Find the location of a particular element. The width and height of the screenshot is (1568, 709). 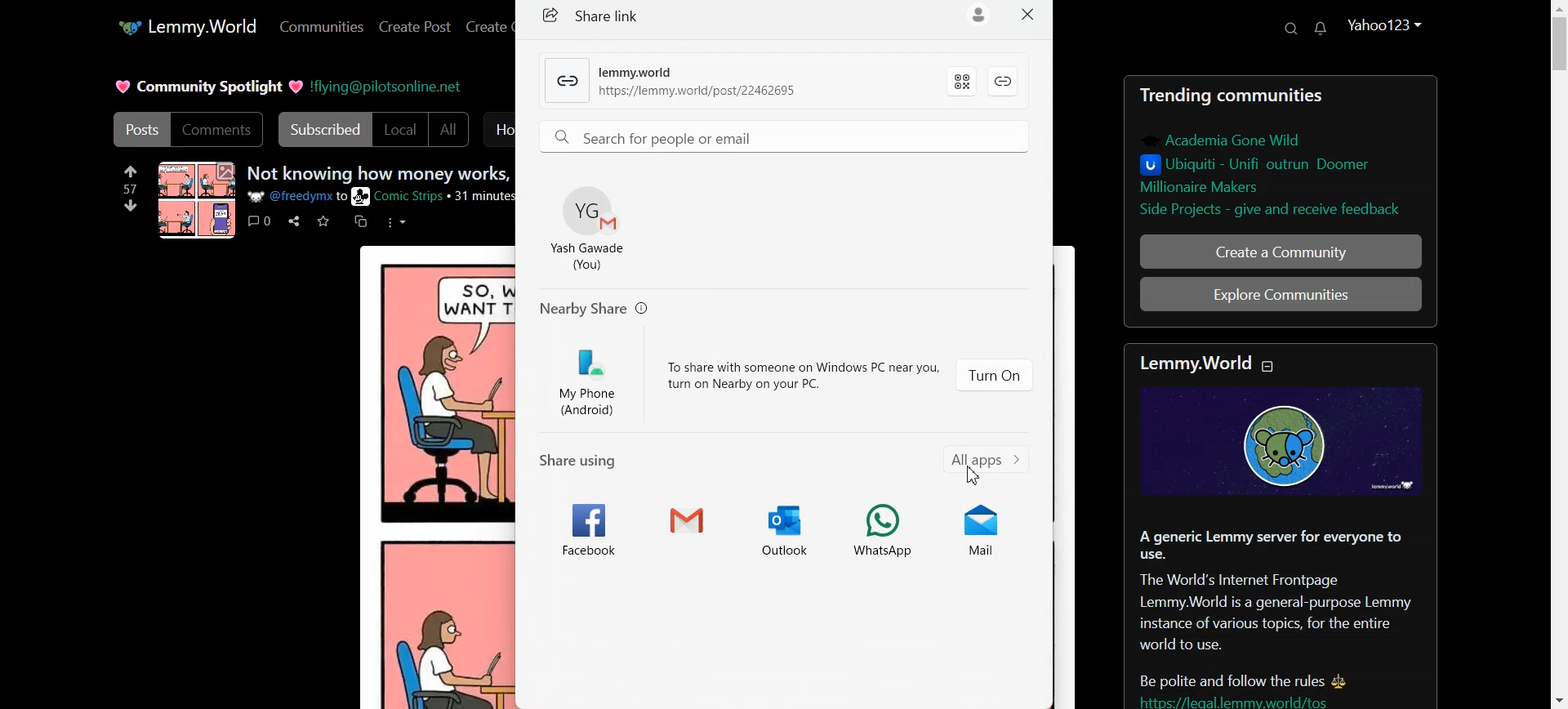

Close is located at coordinates (1028, 16).